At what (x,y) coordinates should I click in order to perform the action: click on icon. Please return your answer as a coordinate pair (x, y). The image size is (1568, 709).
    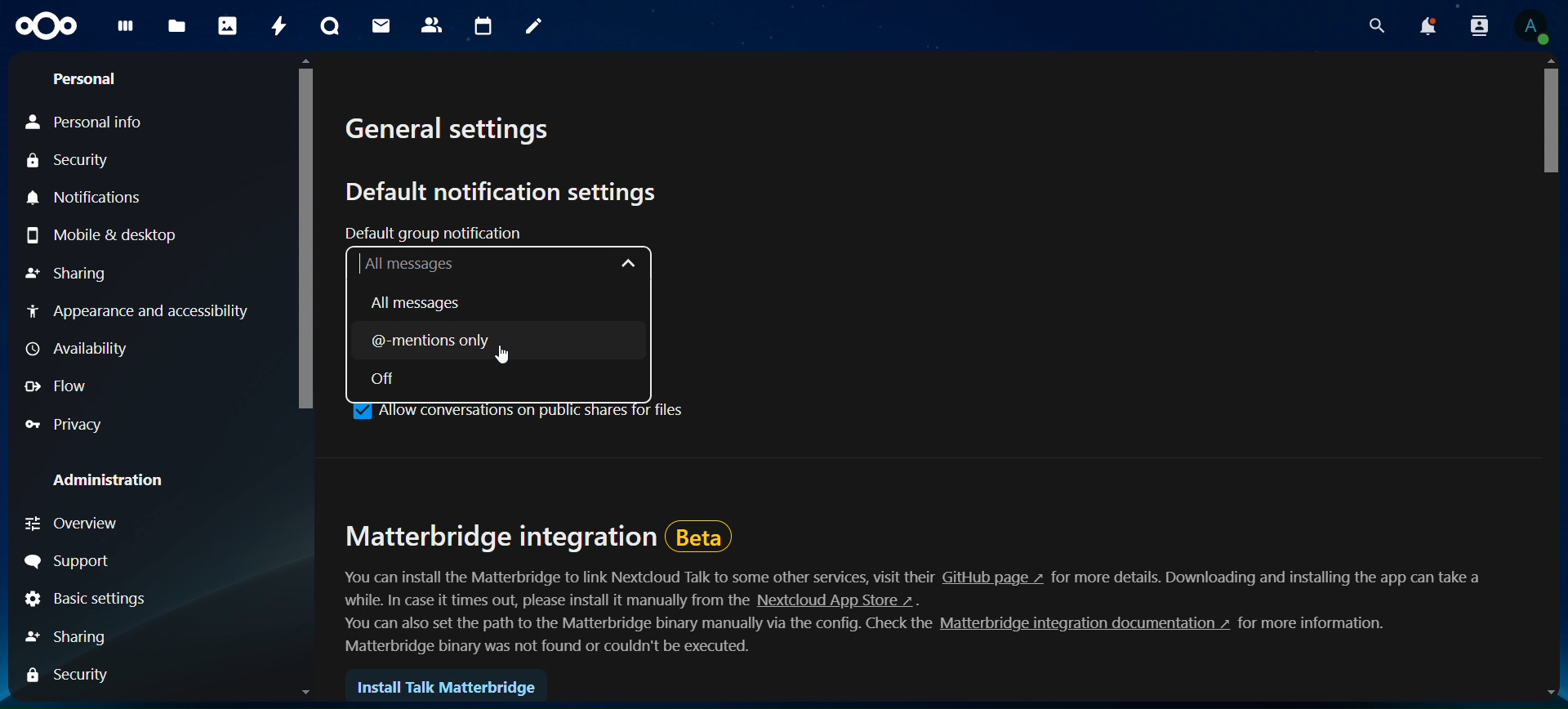
    Looking at the image, I should click on (49, 30).